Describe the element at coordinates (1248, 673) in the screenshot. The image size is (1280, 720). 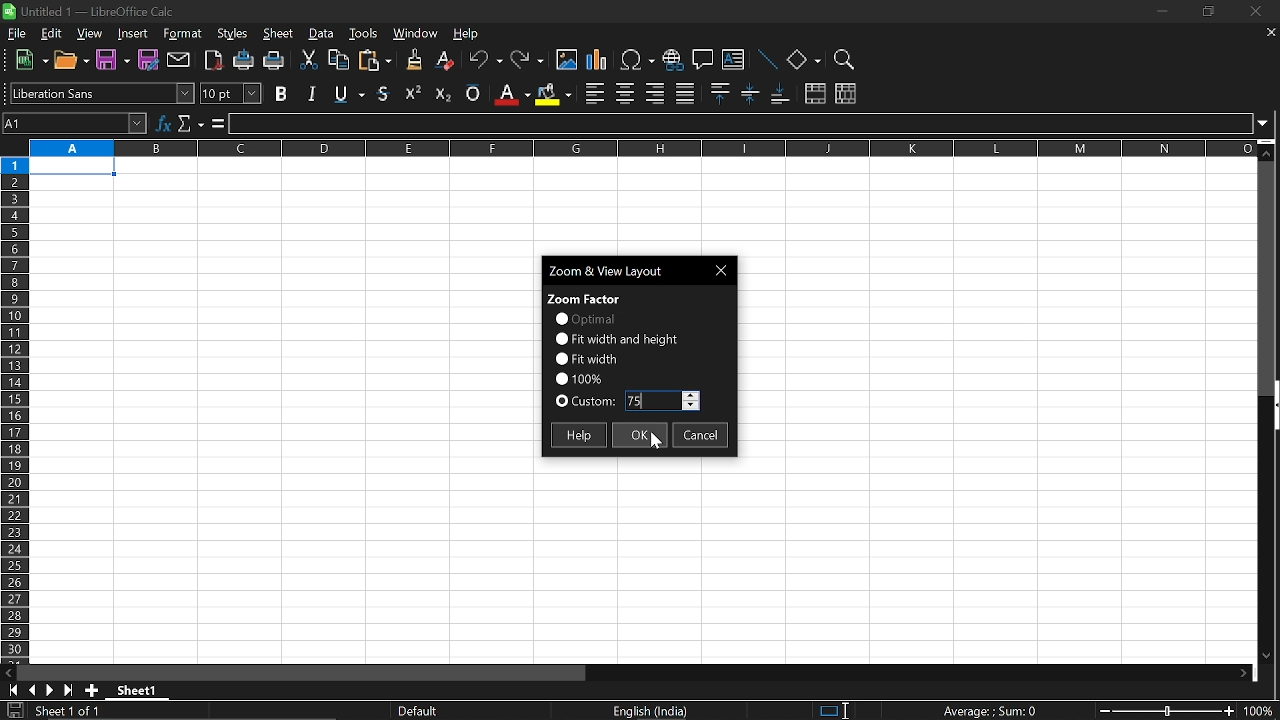
I see `move right` at that location.